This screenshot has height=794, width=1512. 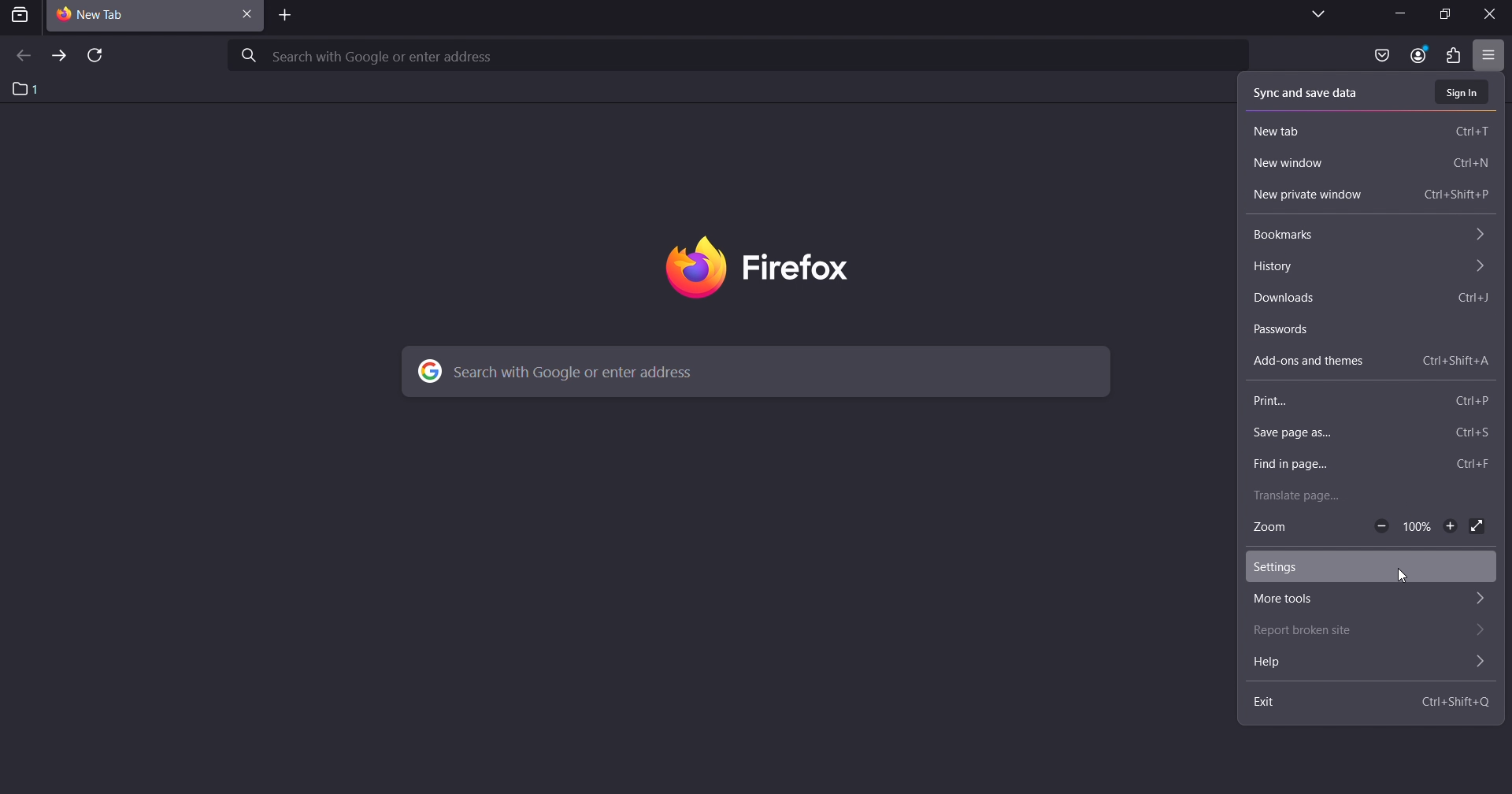 What do you see at coordinates (1479, 528) in the screenshot?
I see `display in full screen` at bounding box center [1479, 528].